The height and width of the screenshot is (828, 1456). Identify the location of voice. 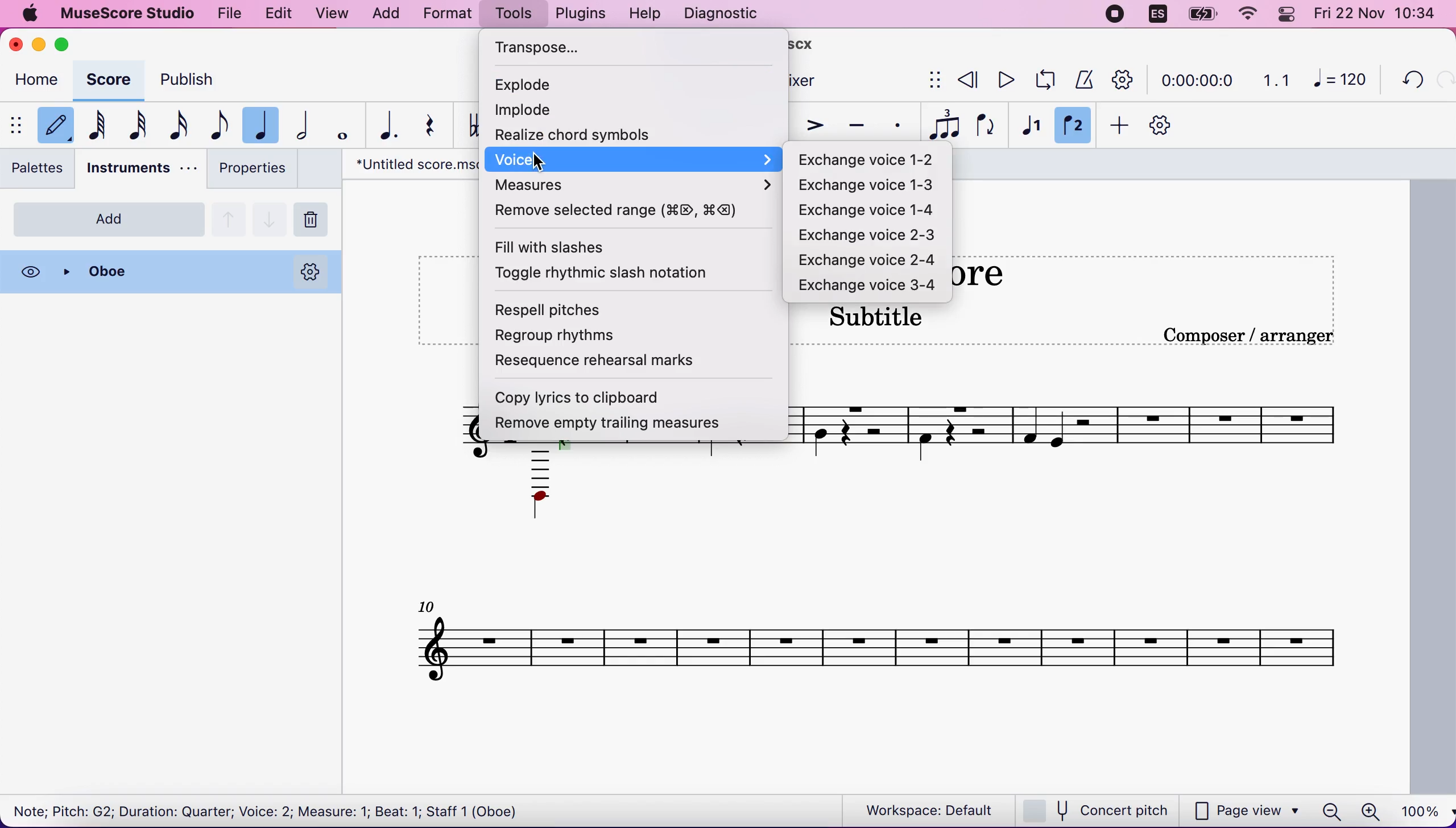
(637, 161).